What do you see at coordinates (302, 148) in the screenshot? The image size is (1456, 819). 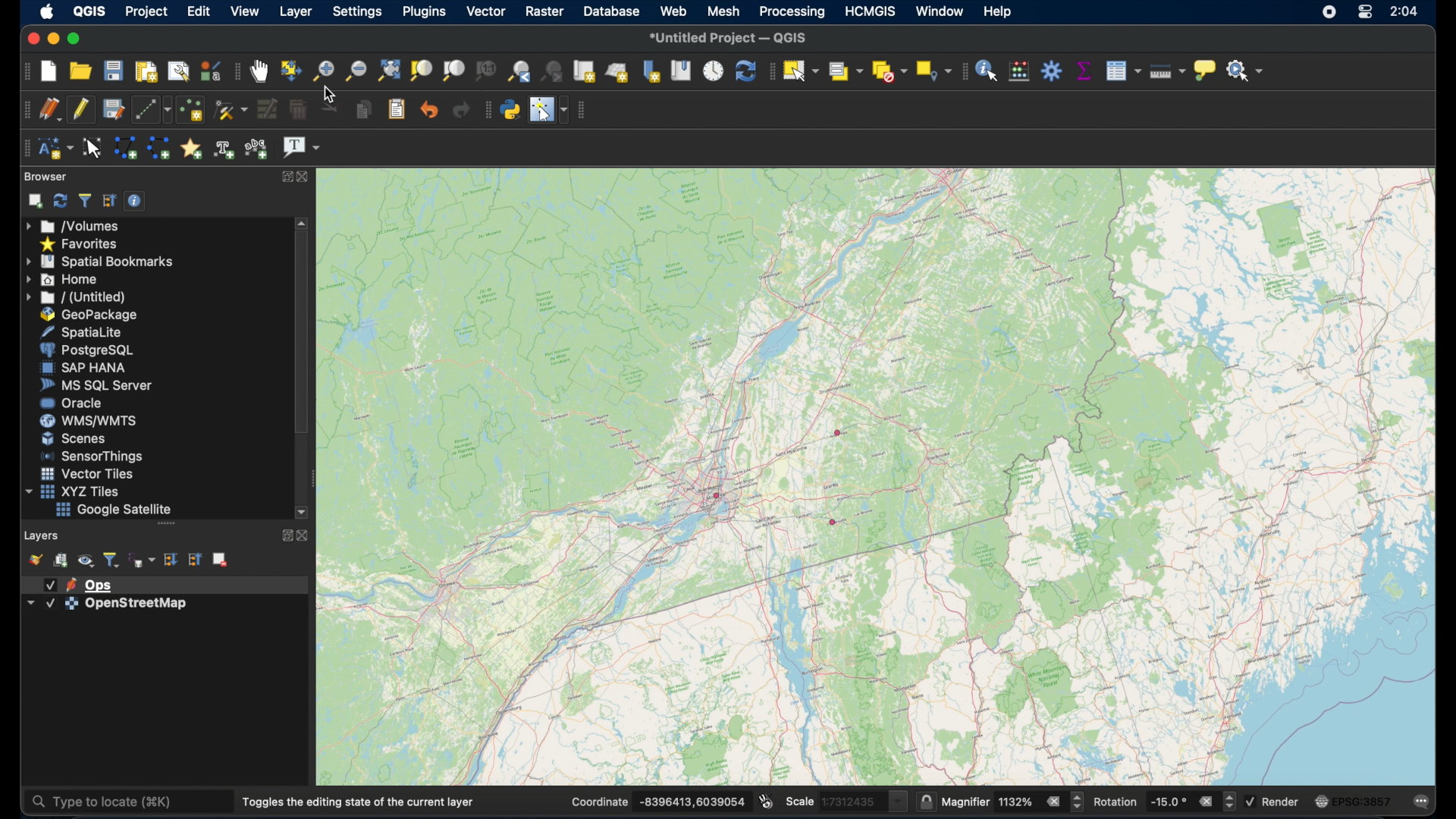 I see `text annotation` at bounding box center [302, 148].